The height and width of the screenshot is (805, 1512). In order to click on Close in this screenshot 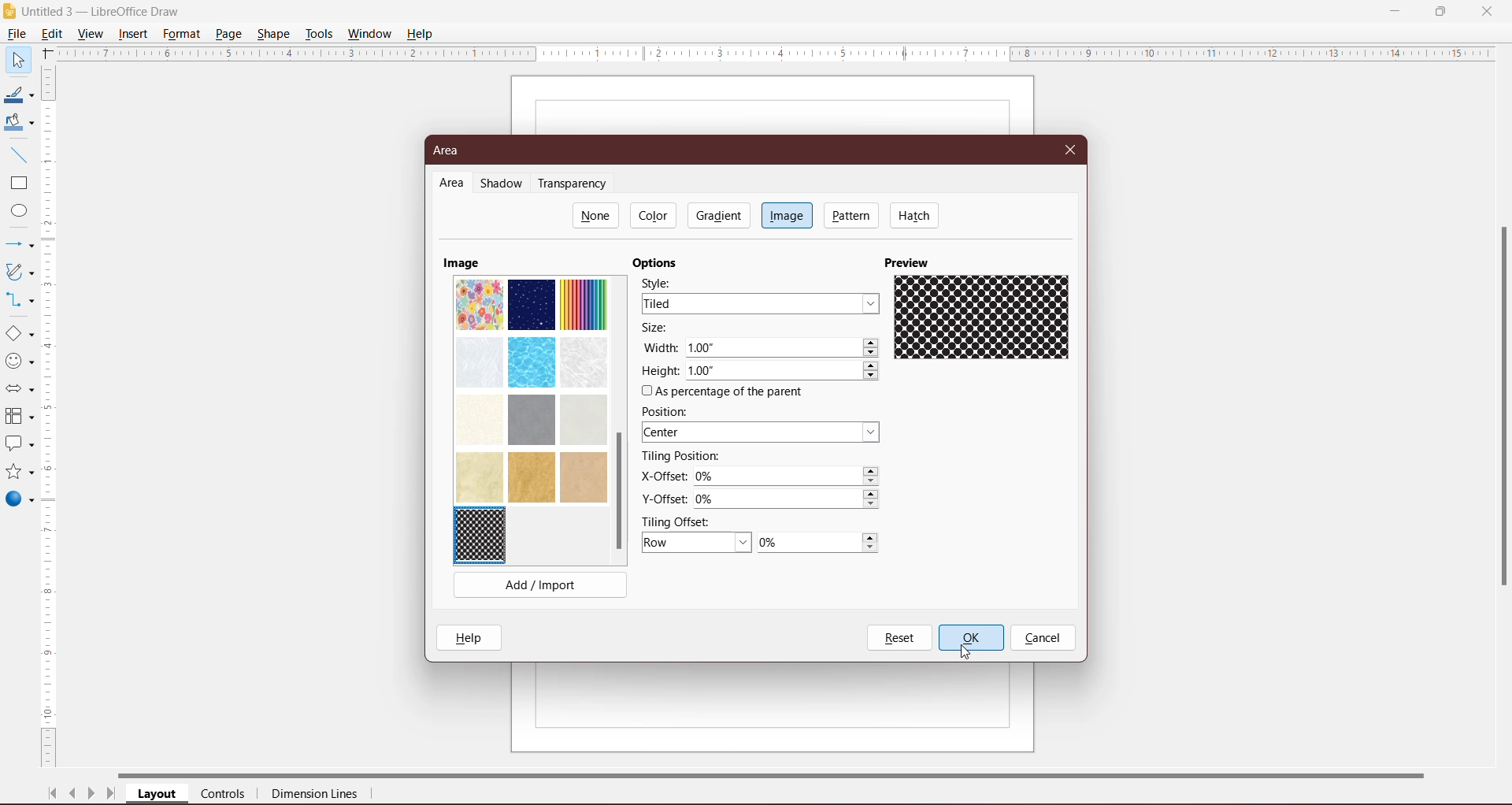, I will do `click(1487, 10)`.